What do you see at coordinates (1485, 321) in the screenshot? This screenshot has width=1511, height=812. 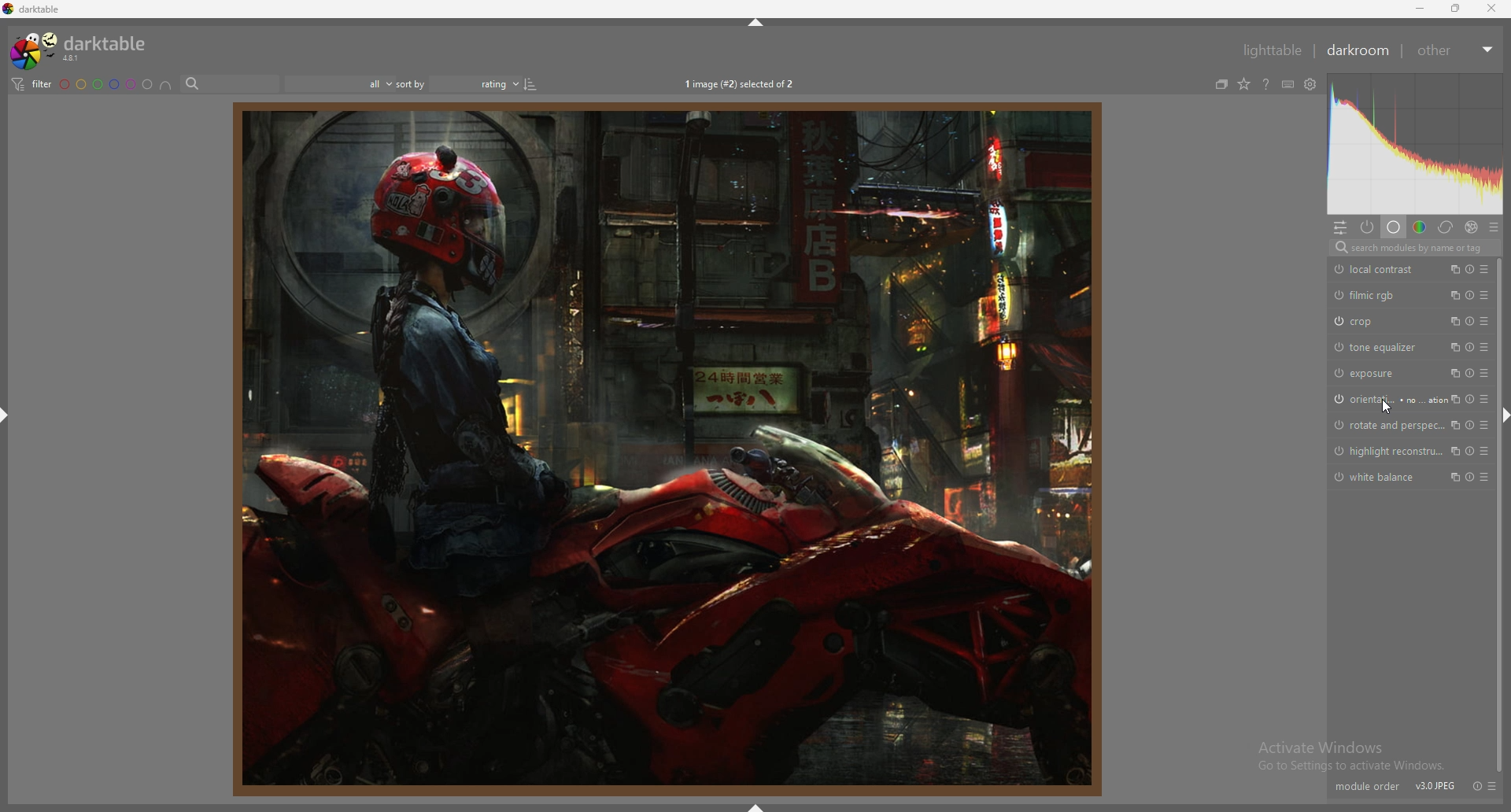 I see `presets` at bounding box center [1485, 321].